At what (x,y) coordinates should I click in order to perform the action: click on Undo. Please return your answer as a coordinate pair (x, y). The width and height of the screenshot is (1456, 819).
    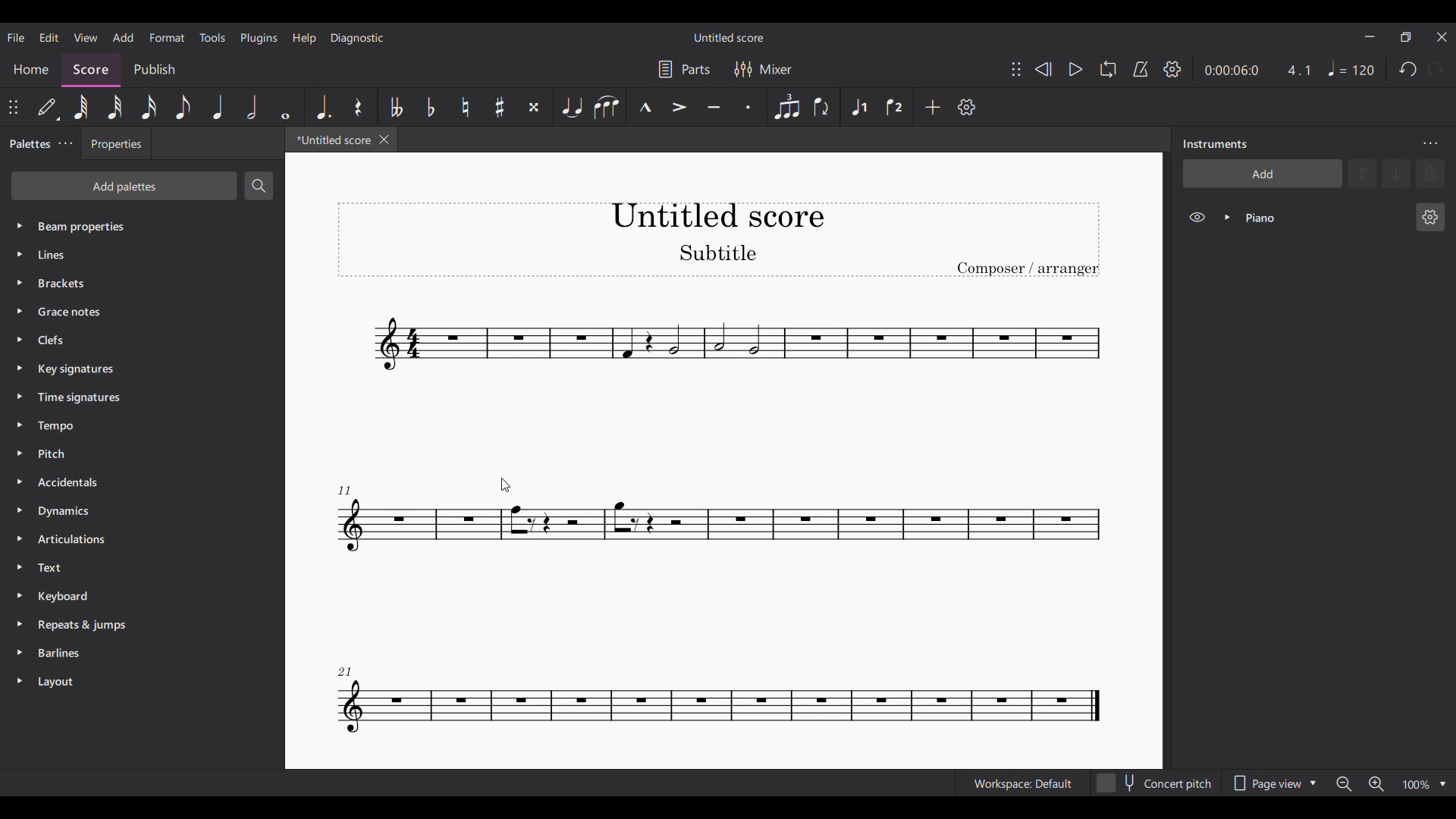
    Looking at the image, I should click on (1409, 69).